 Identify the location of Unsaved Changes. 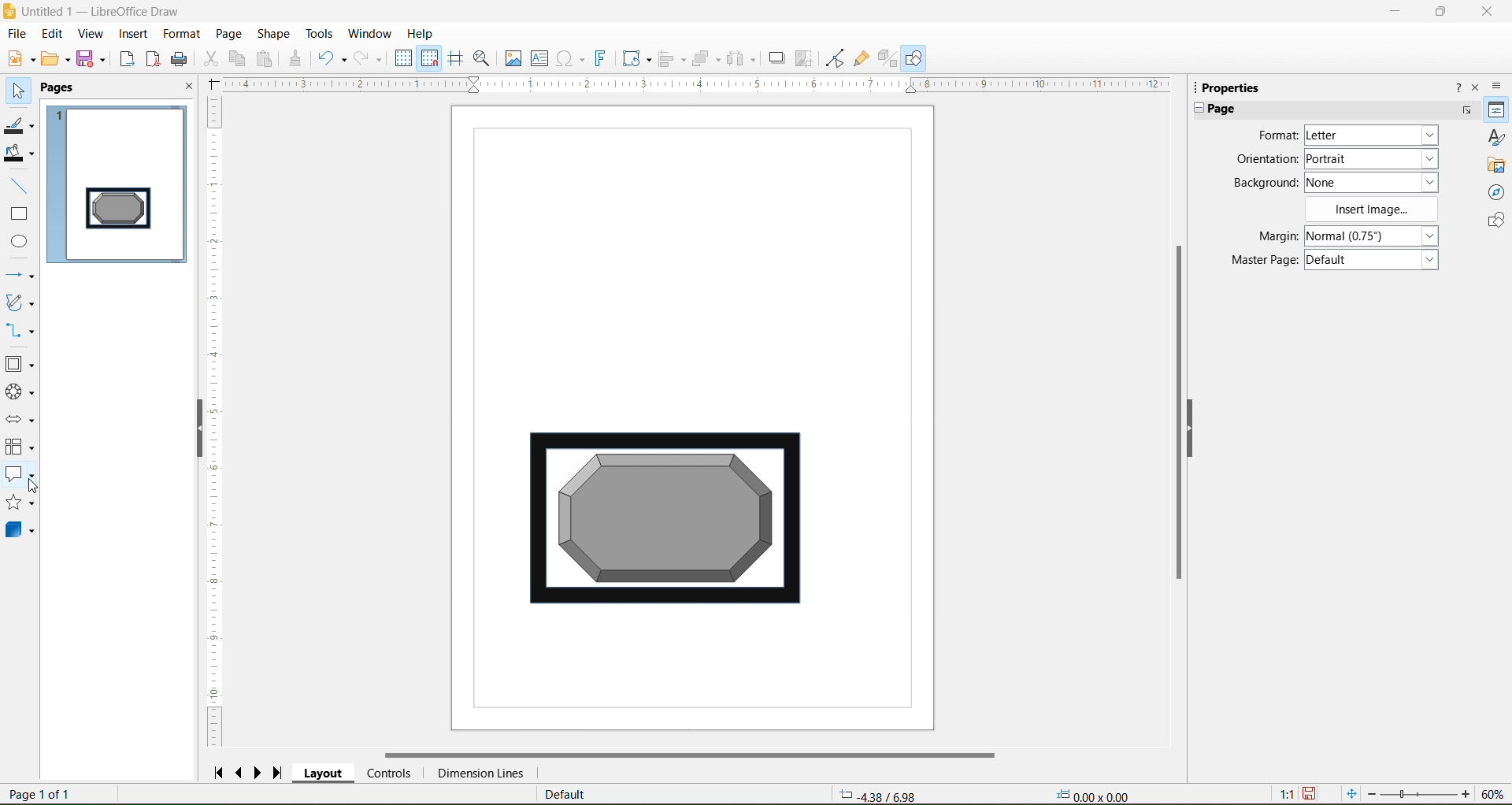
(1313, 794).